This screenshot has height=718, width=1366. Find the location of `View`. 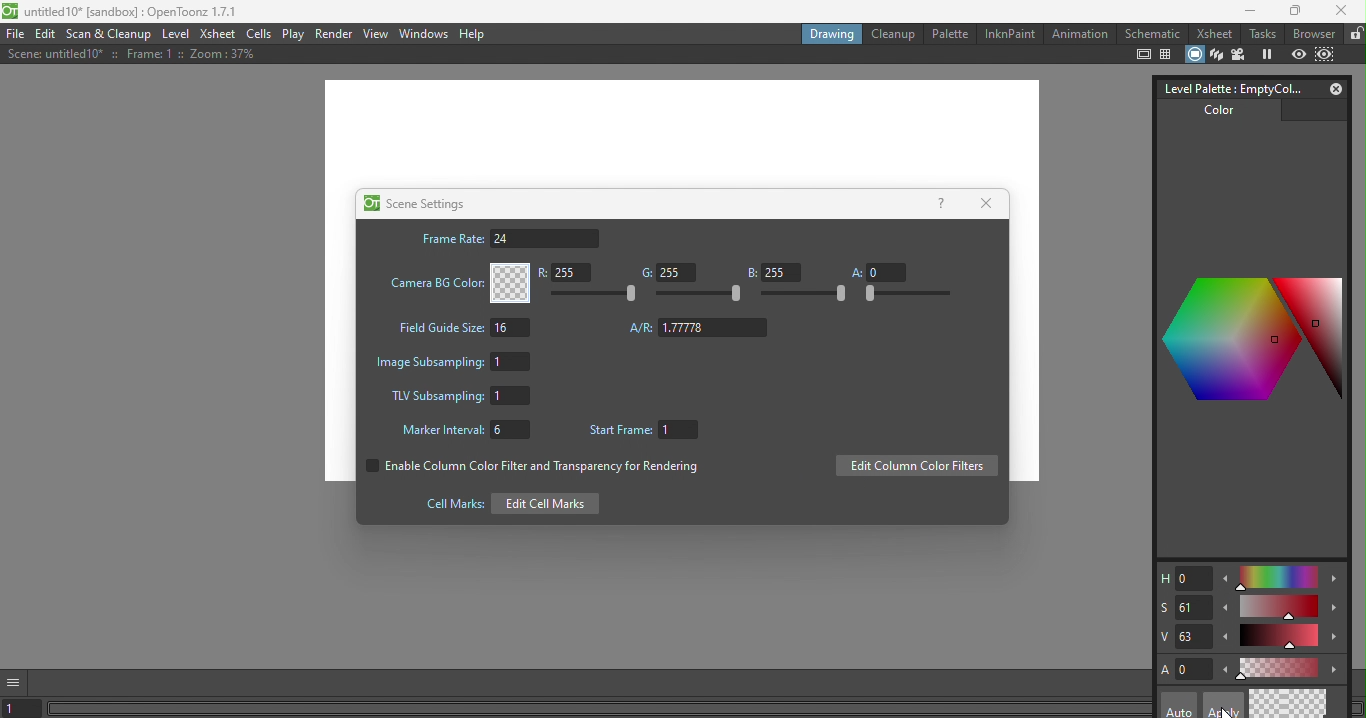

View is located at coordinates (376, 33).